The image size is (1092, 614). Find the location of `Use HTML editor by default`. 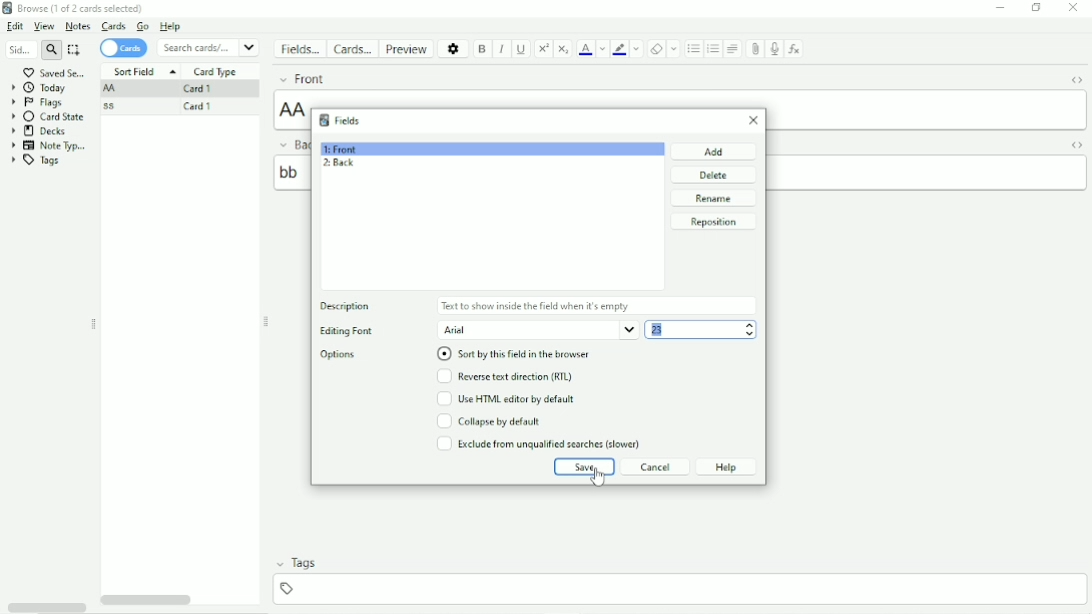

Use HTML editor by default is located at coordinates (513, 399).